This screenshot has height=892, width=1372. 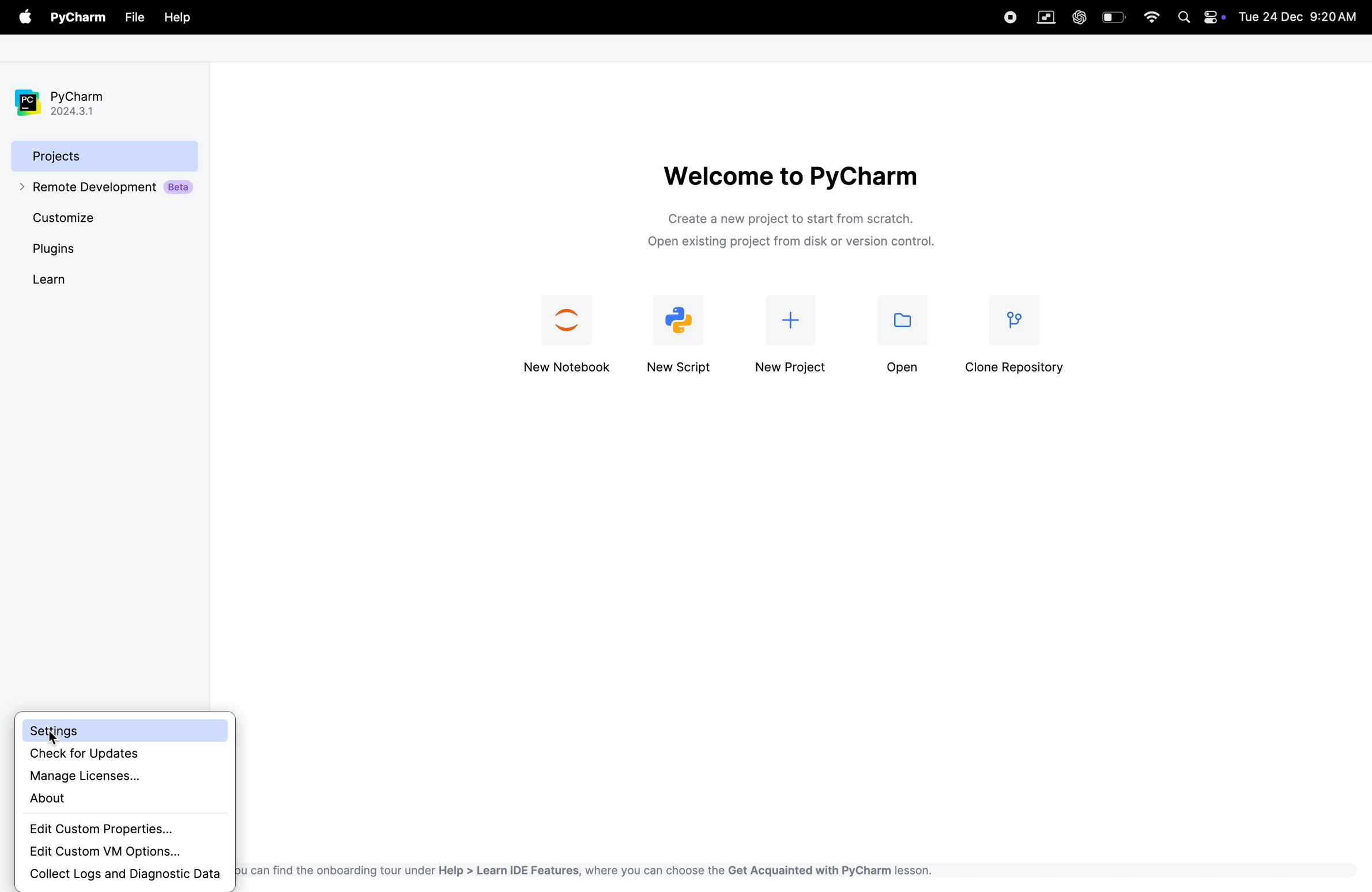 What do you see at coordinates (108, 188) in the screenshot?
I see `remote developement` at bounding box center [108, 188].